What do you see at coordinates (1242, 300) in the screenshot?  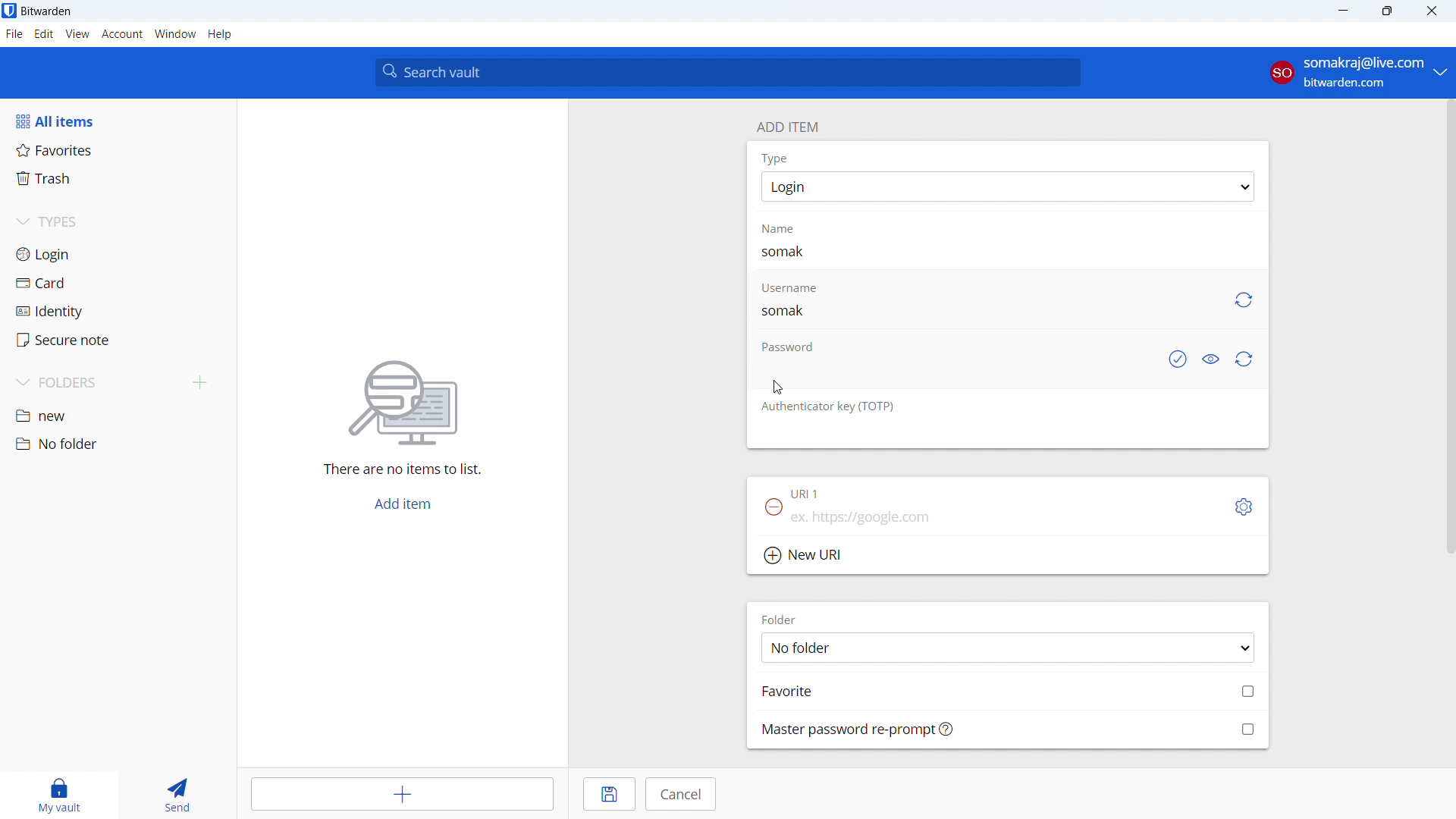 I see `generate username` at bounding box center [1242, 300].